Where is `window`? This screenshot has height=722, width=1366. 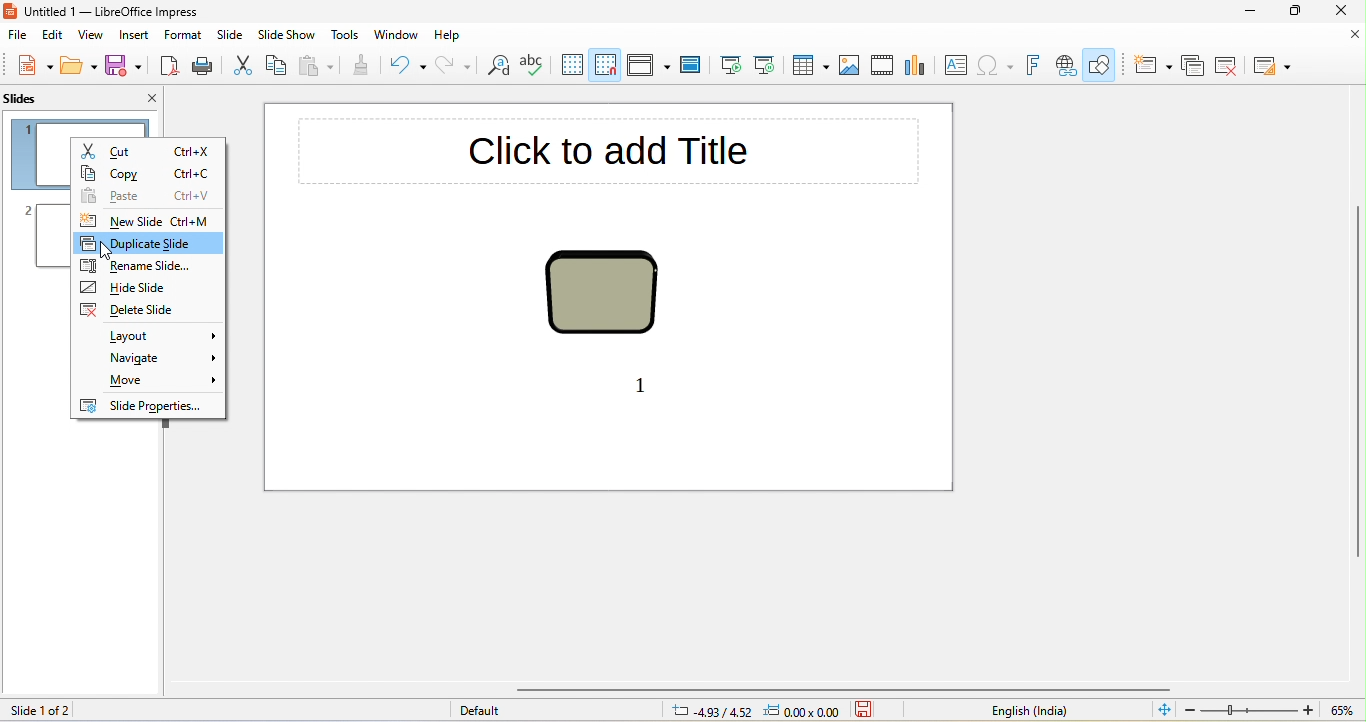
window is located at coordinates (397, 35).